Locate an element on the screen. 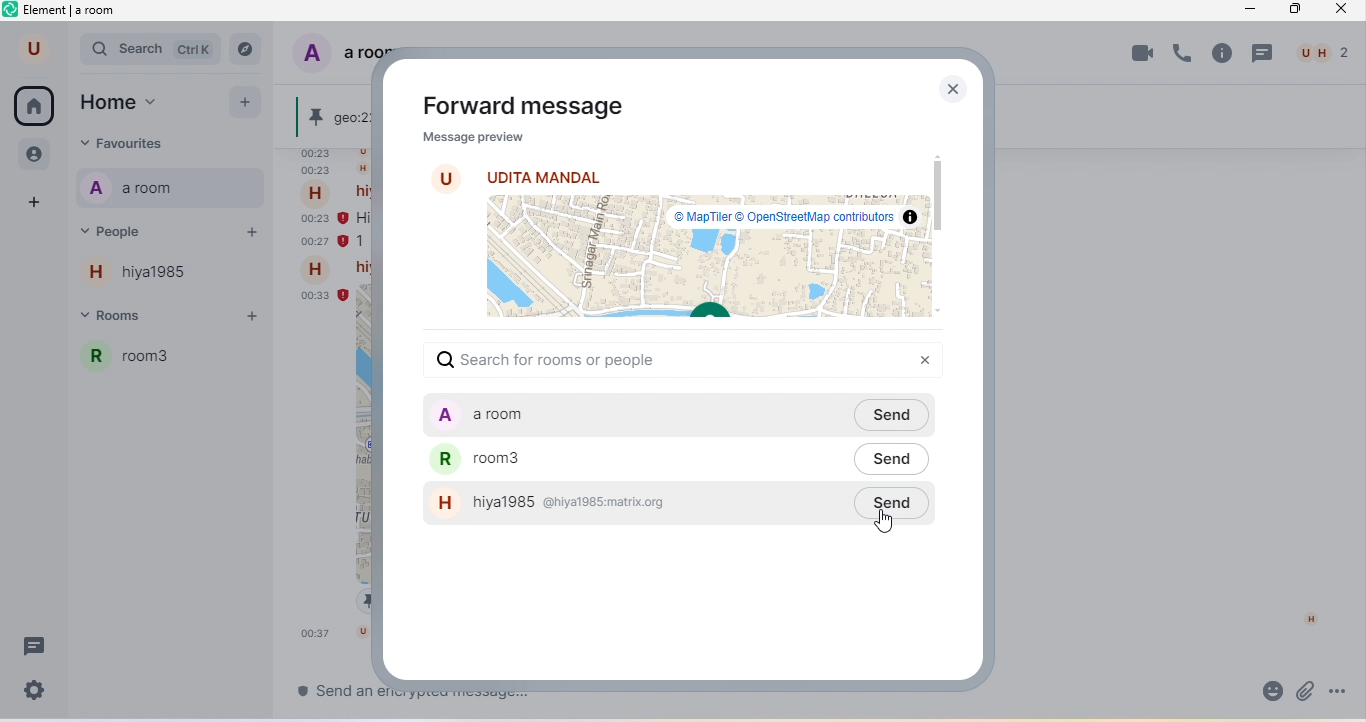  send is located at coordinates (899, 414).